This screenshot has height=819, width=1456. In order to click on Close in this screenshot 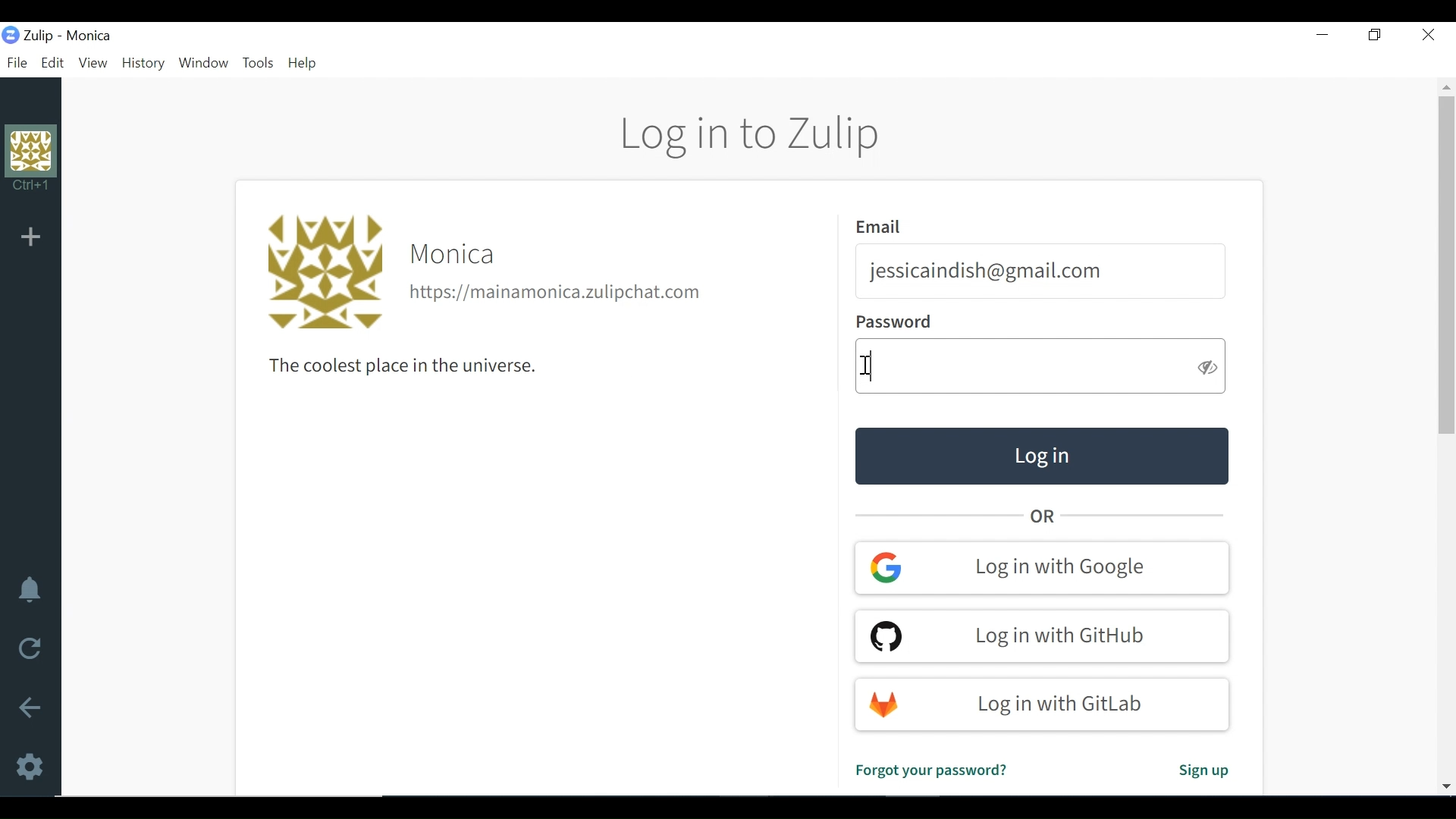, I will do `click(1426, 33)`.